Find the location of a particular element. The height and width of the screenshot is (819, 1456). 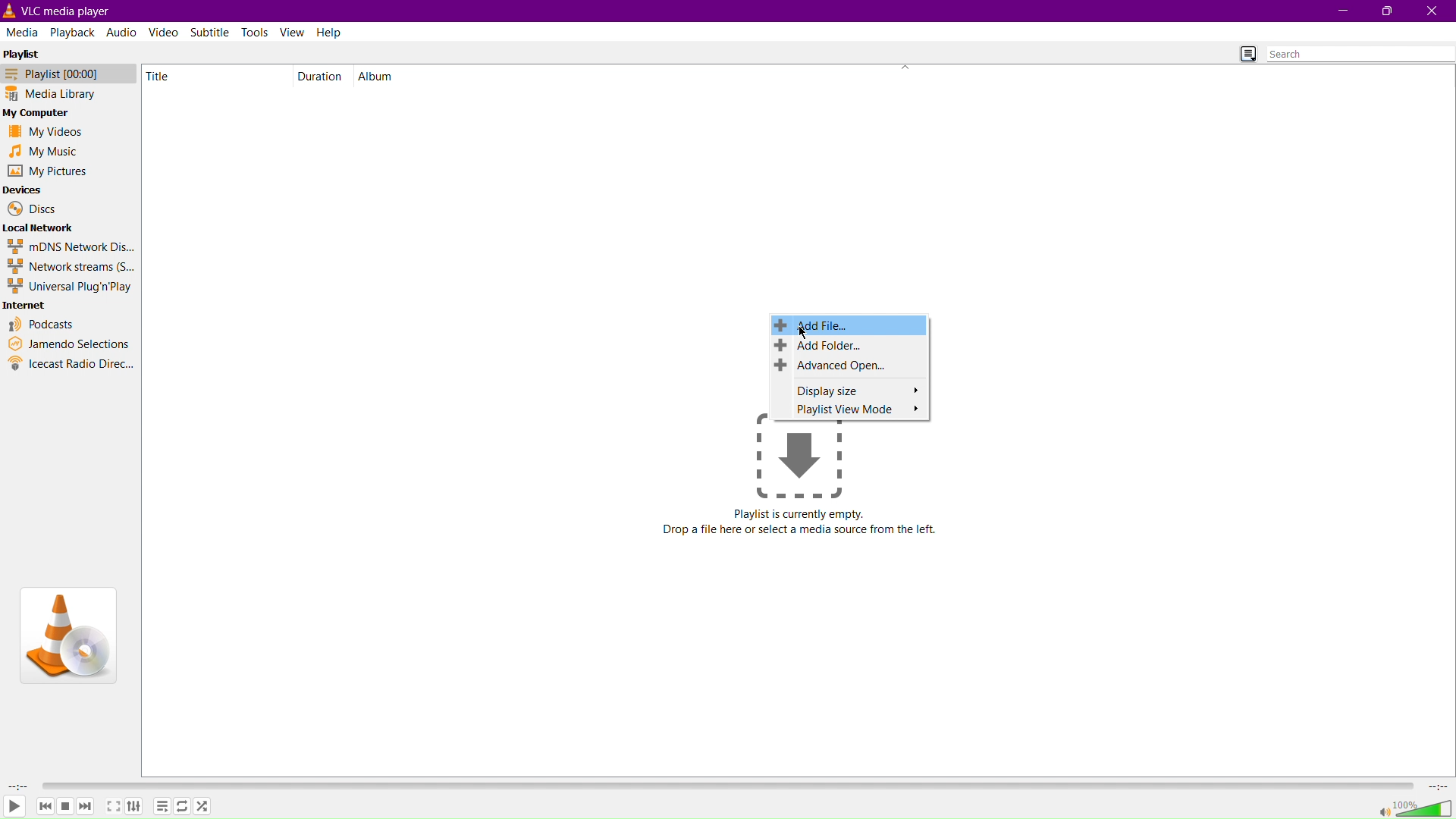

Network Streams is located at coordinates (70, 267).